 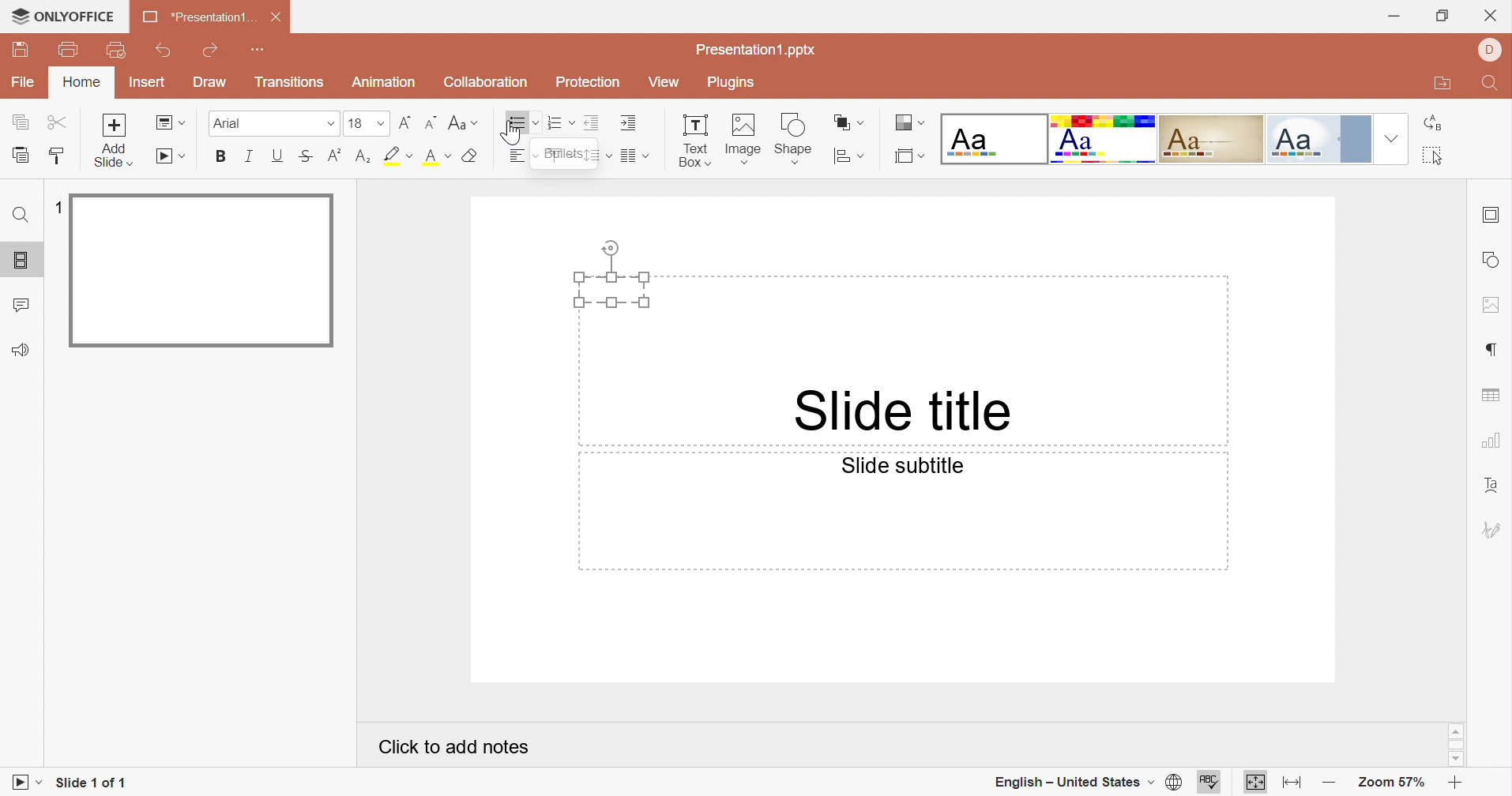 What do you see at coordinates (912, 157) in the screenshot?
I see `Select slide size` at bounding box center [912, 157].